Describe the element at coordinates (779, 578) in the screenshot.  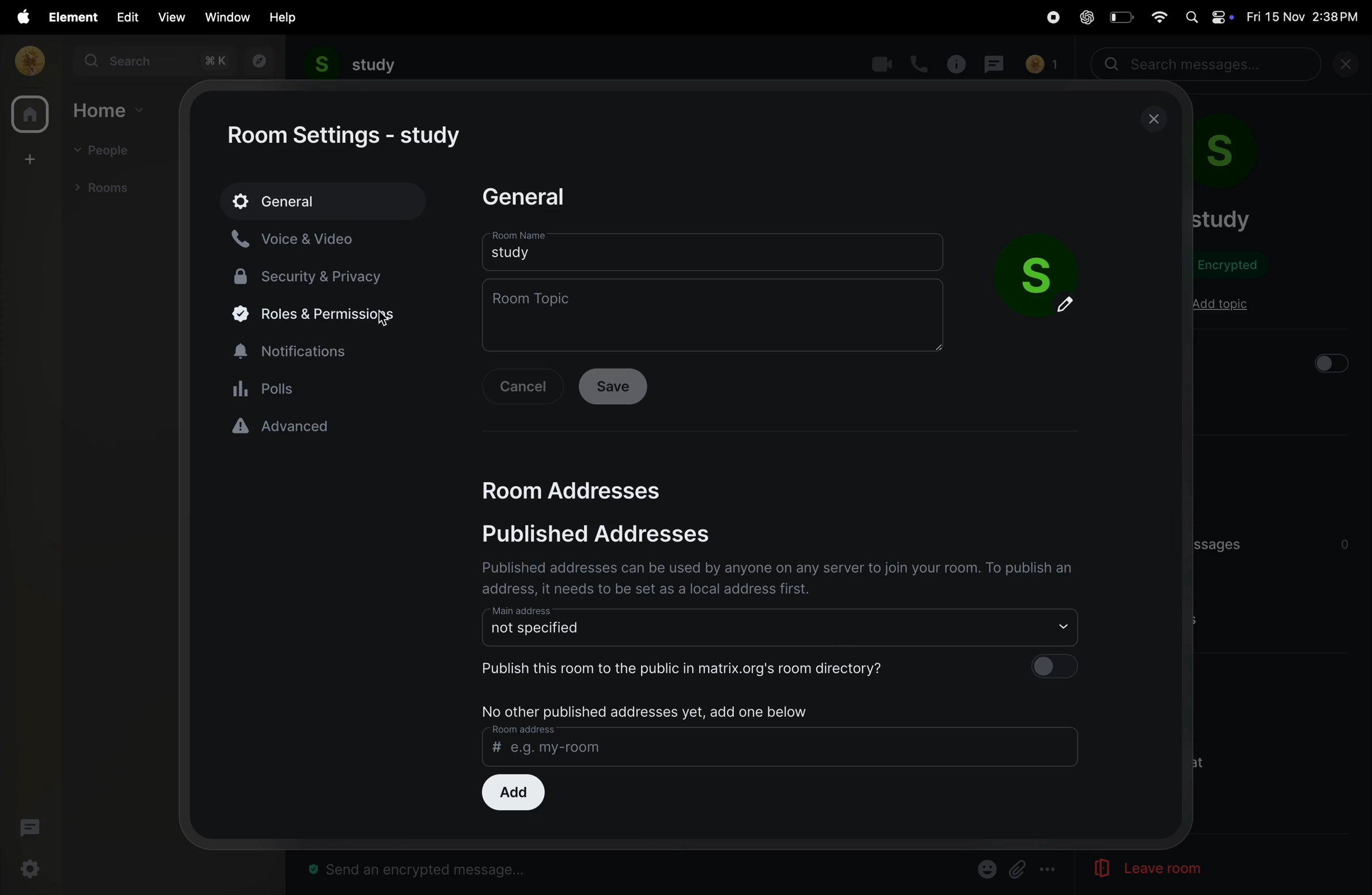
I see `Published addresses can be used by anyone on any server to join your room. To publish an
address, it needs to be set as a local address first.` at that location.